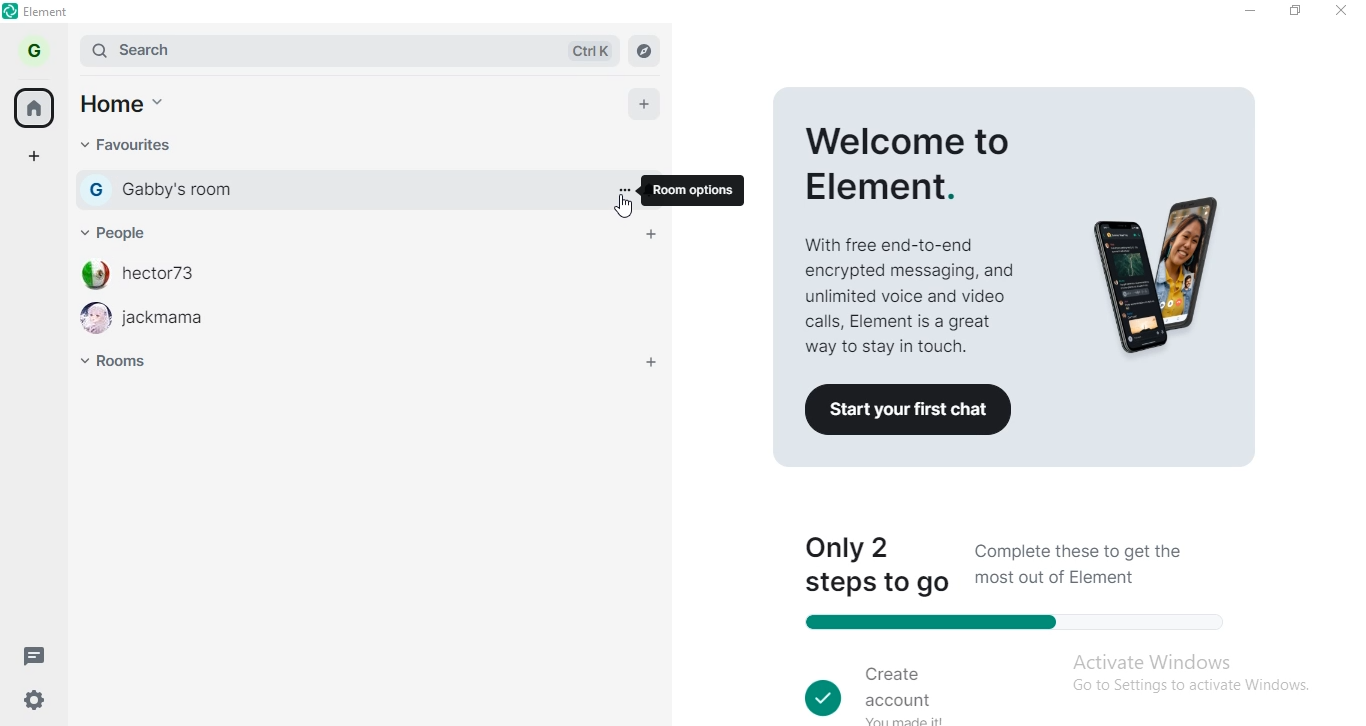 The height and width of the screenshot is (726, 1366). Describe the element at coordinates (94, 275) in the screenshot. I see `profile image` at that location.